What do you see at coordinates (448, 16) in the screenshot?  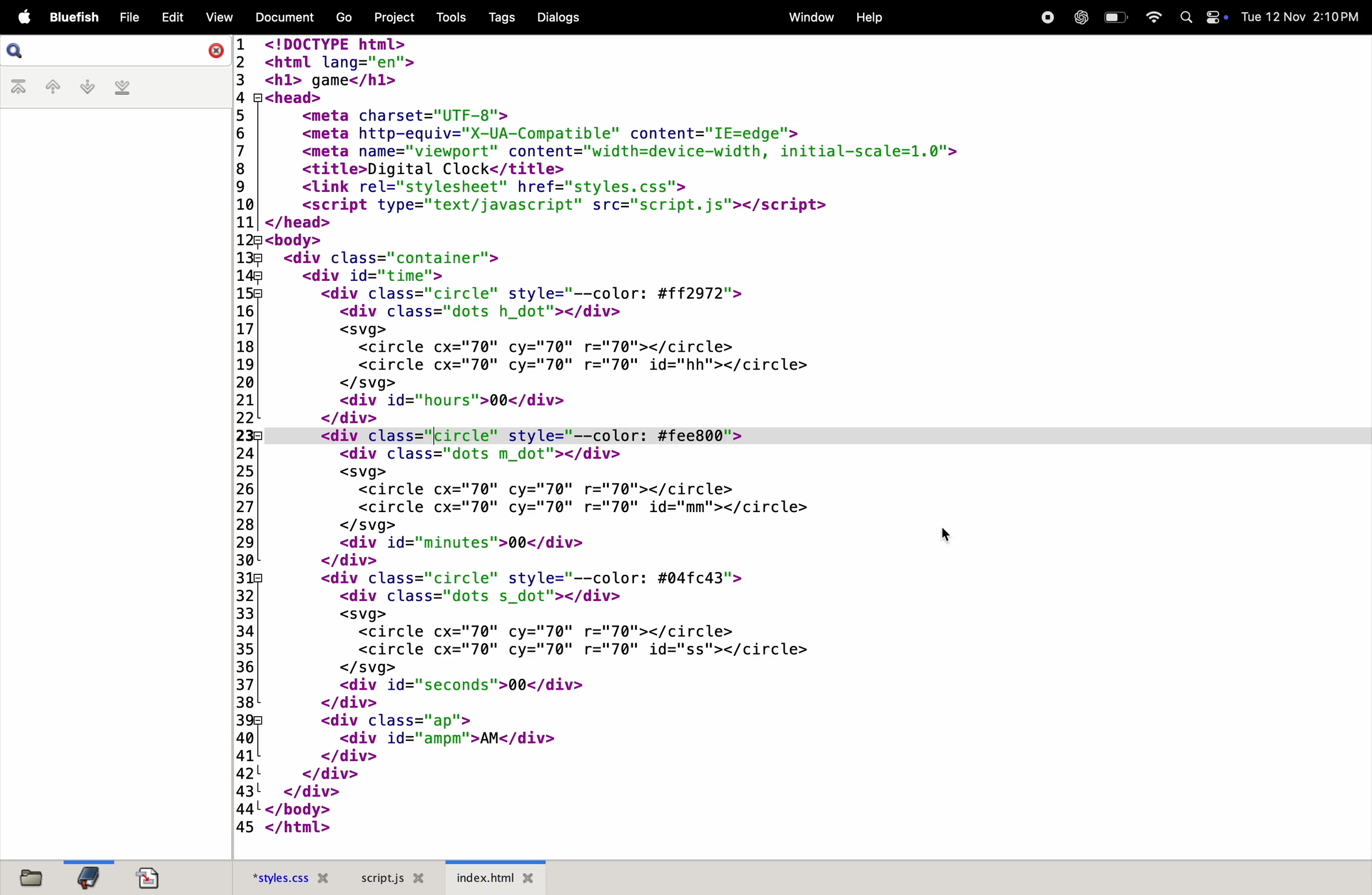 I see `tools` at bounding box center [448, 16].